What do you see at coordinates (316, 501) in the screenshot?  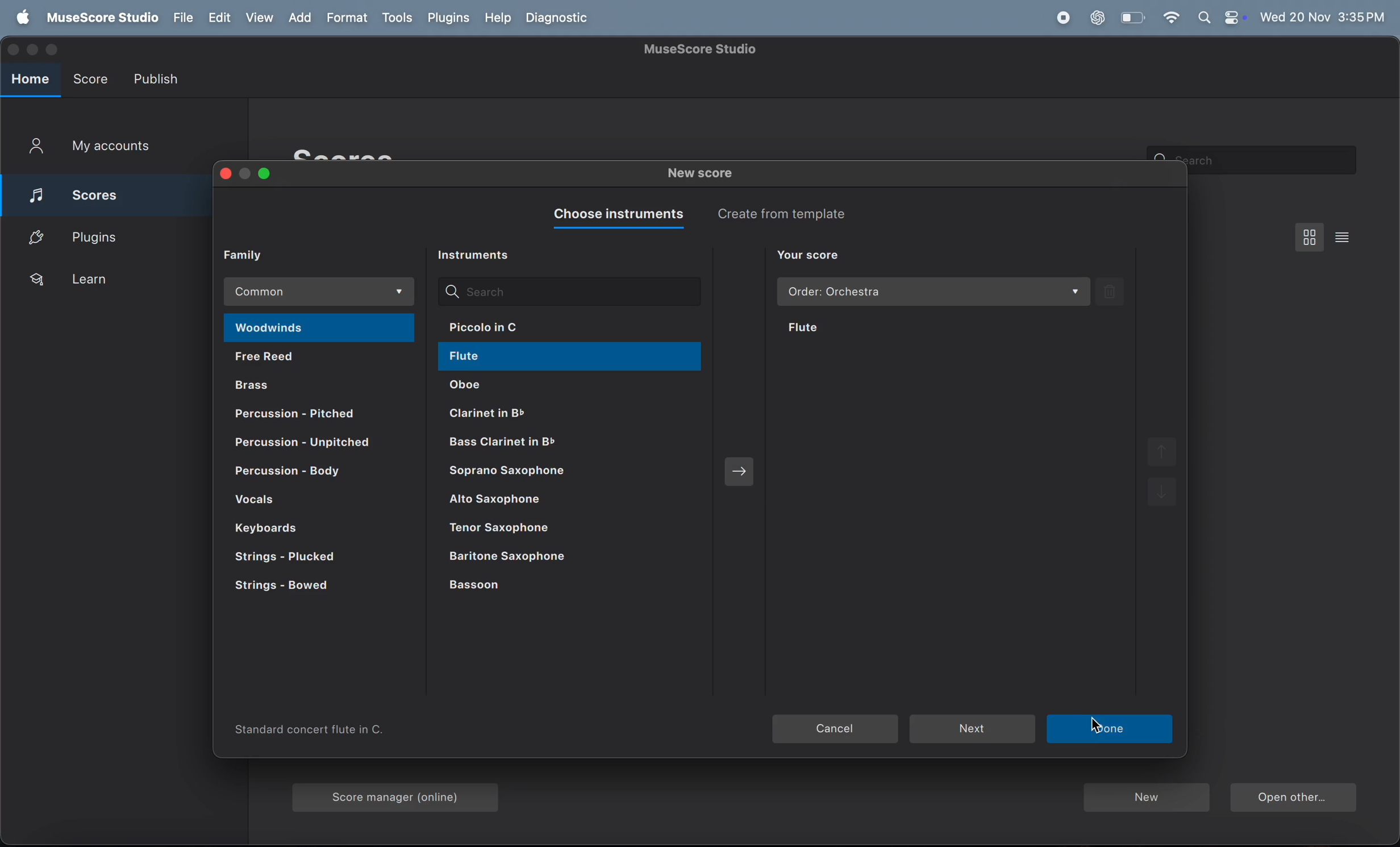 I see `vocals` at bounding box center [316, 501].